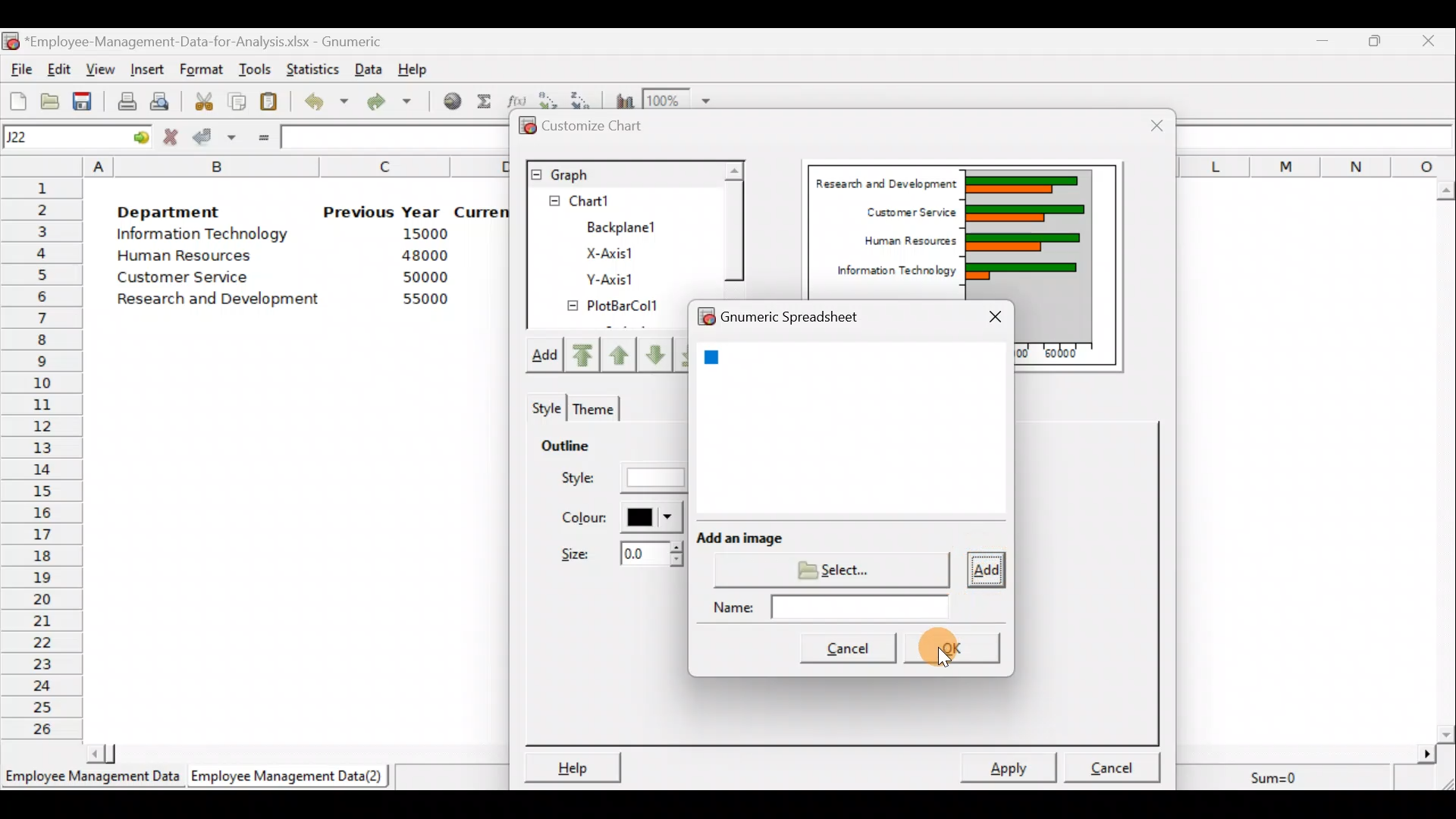 The width and height of the screenshot is (1456, 819). What do you see at coordinates (849, 651) in the screenshot?
I see `Cancel` at bounding box center [849, 651].